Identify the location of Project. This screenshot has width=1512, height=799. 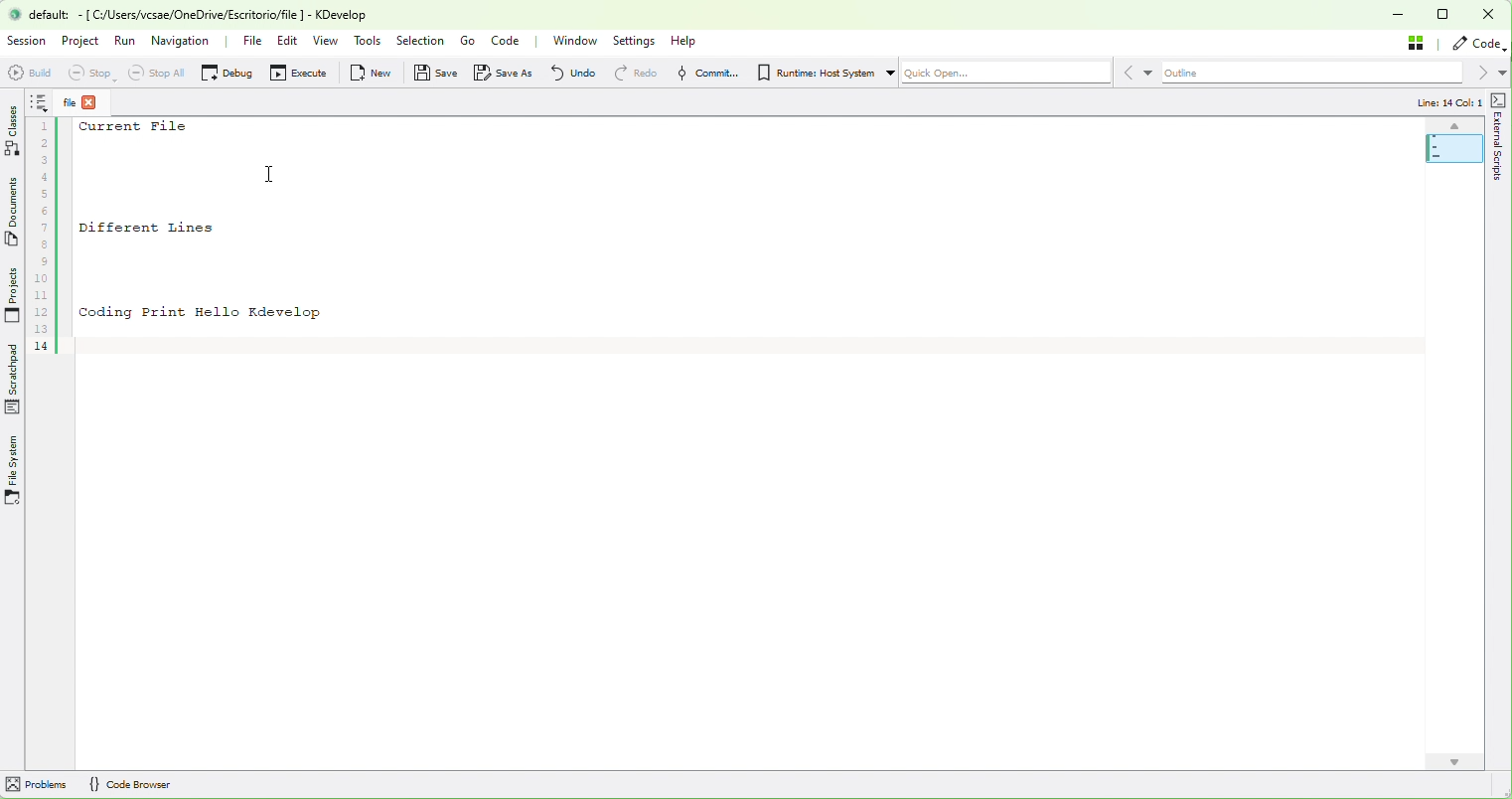
(81, 42).